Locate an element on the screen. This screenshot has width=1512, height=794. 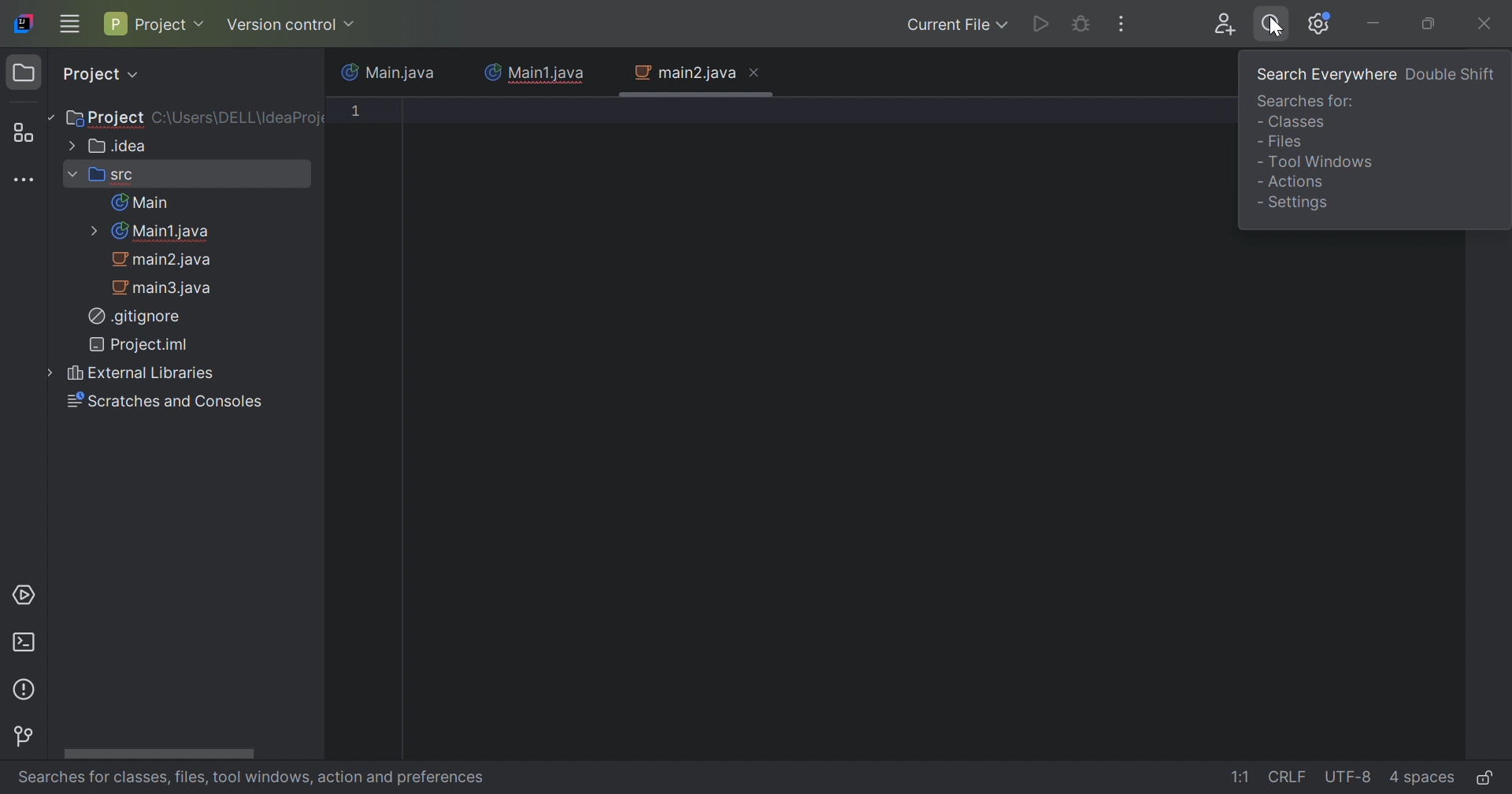
main3.java is located at coordinates (165, 287).